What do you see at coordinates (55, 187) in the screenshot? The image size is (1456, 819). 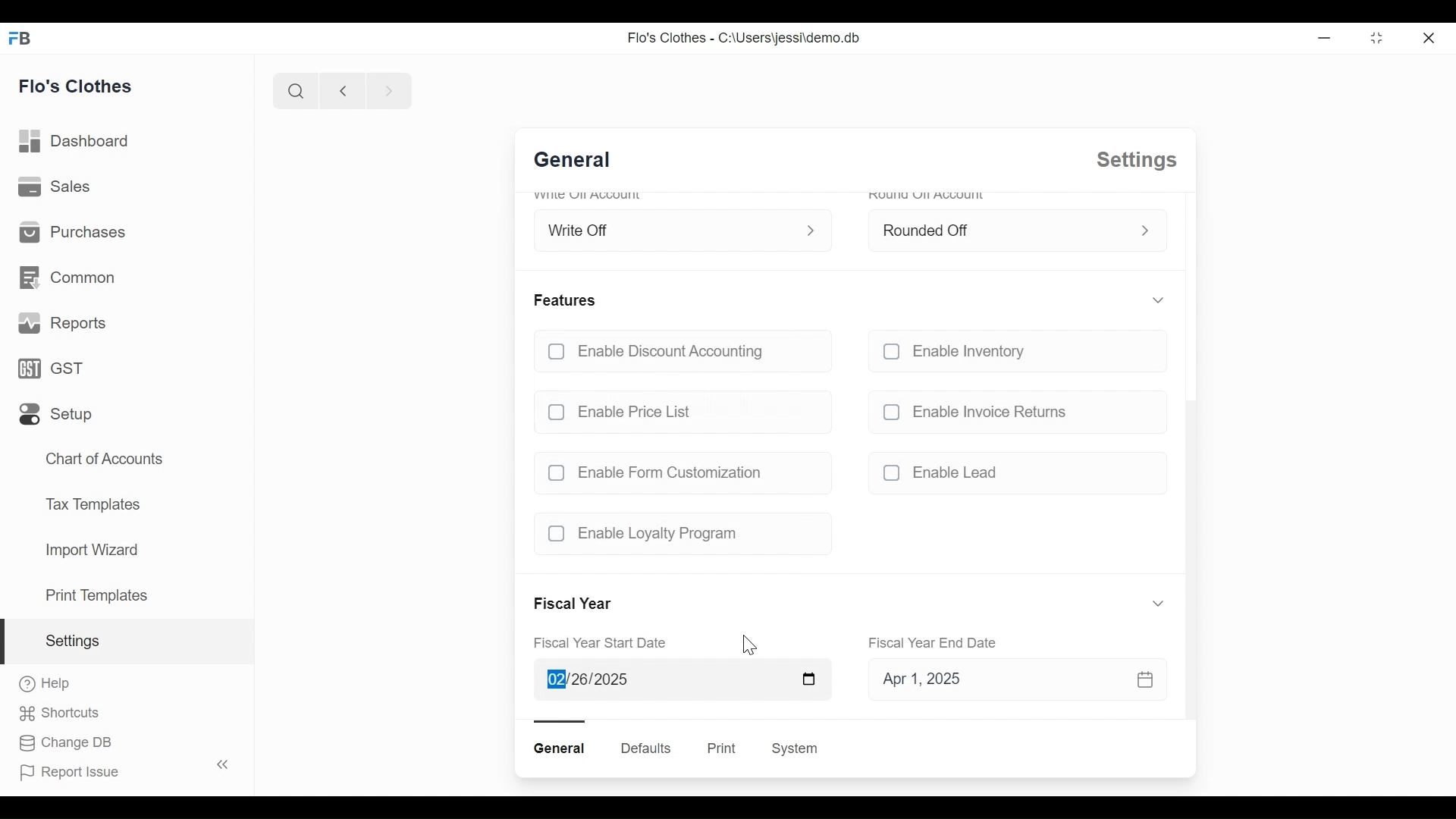 I see `Sales` at bounding box center [55, 187].